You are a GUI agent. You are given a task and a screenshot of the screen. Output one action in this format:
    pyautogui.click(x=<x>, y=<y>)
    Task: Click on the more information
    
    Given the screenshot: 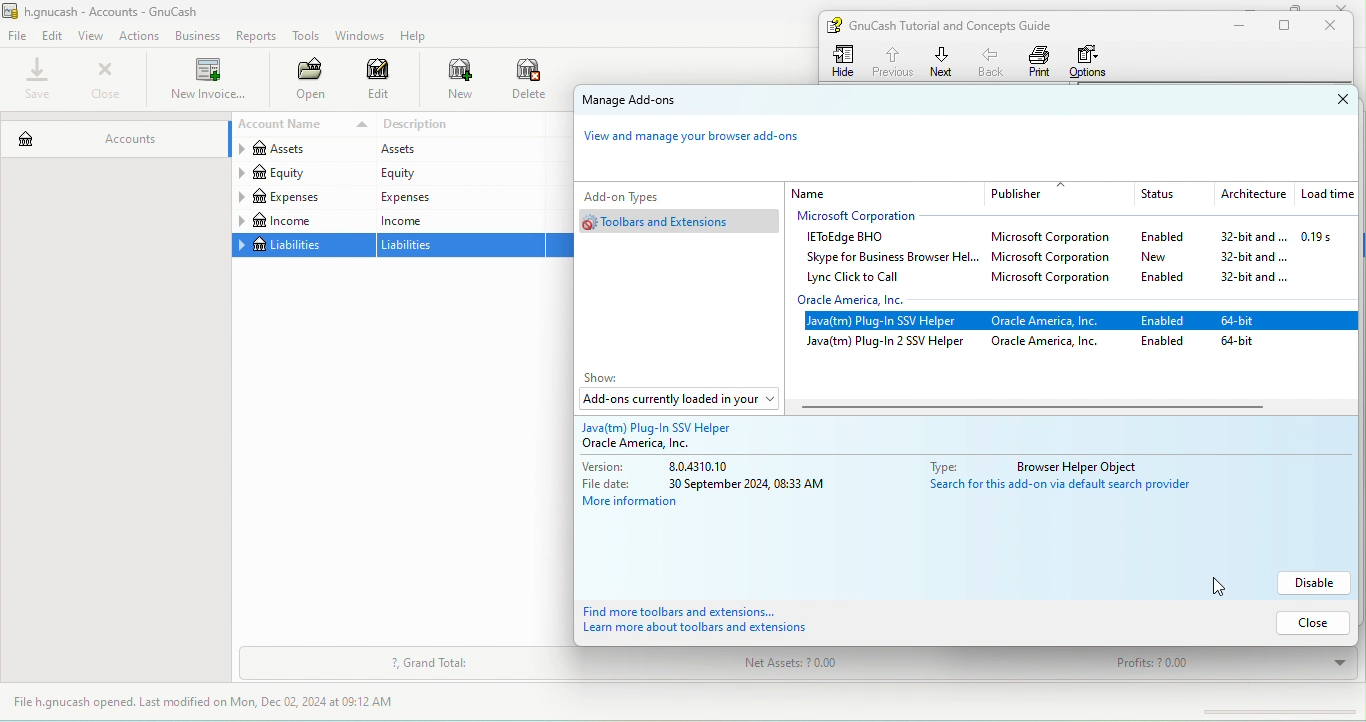 What is the action you would take?
    pyautogui.click(x=634, y=505)
    